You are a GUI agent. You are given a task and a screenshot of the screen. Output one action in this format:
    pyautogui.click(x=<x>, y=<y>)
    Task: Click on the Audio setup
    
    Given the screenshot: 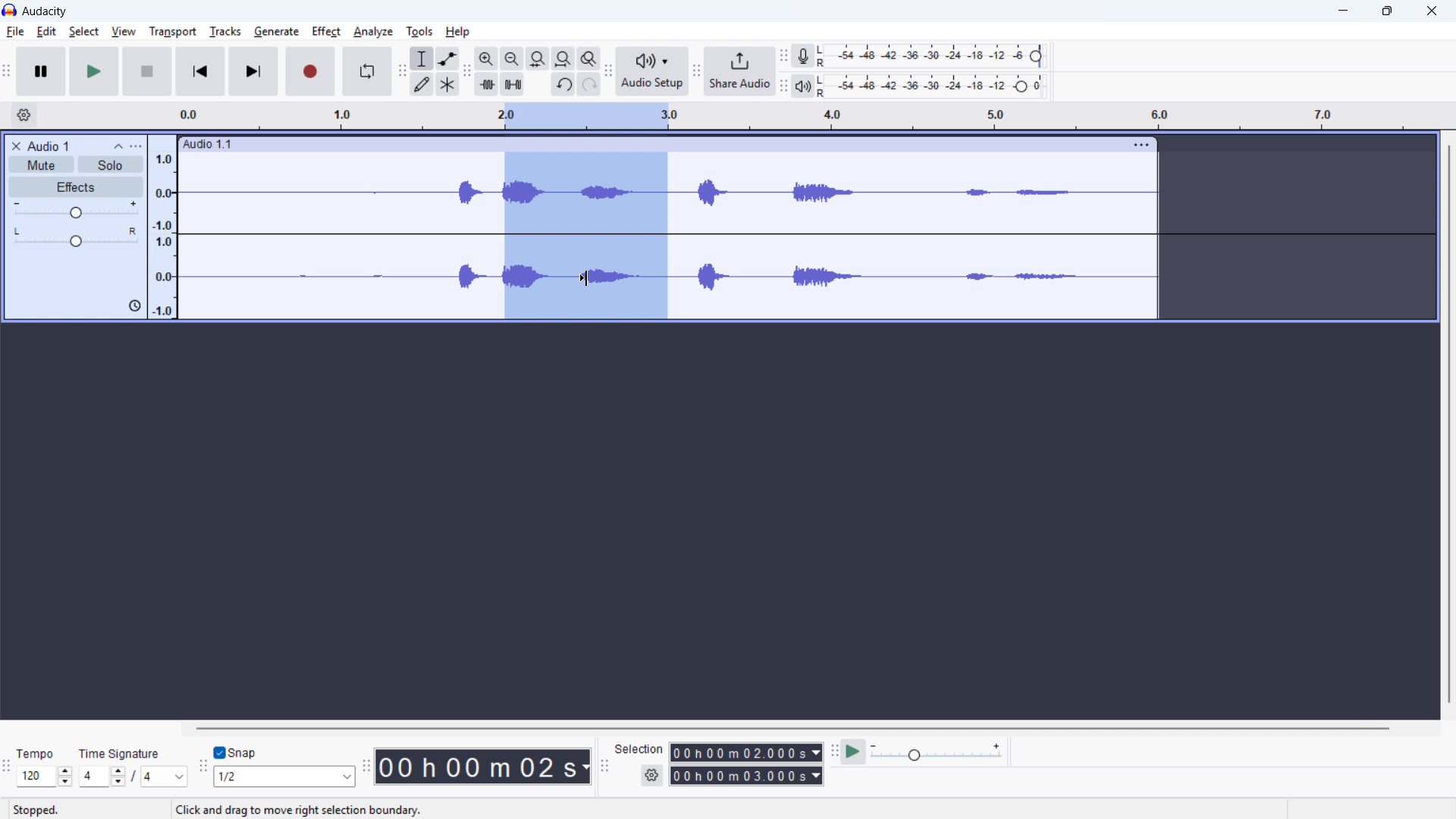 What is the action you would take?
    pyautogui.click(x=652, y=71)
    